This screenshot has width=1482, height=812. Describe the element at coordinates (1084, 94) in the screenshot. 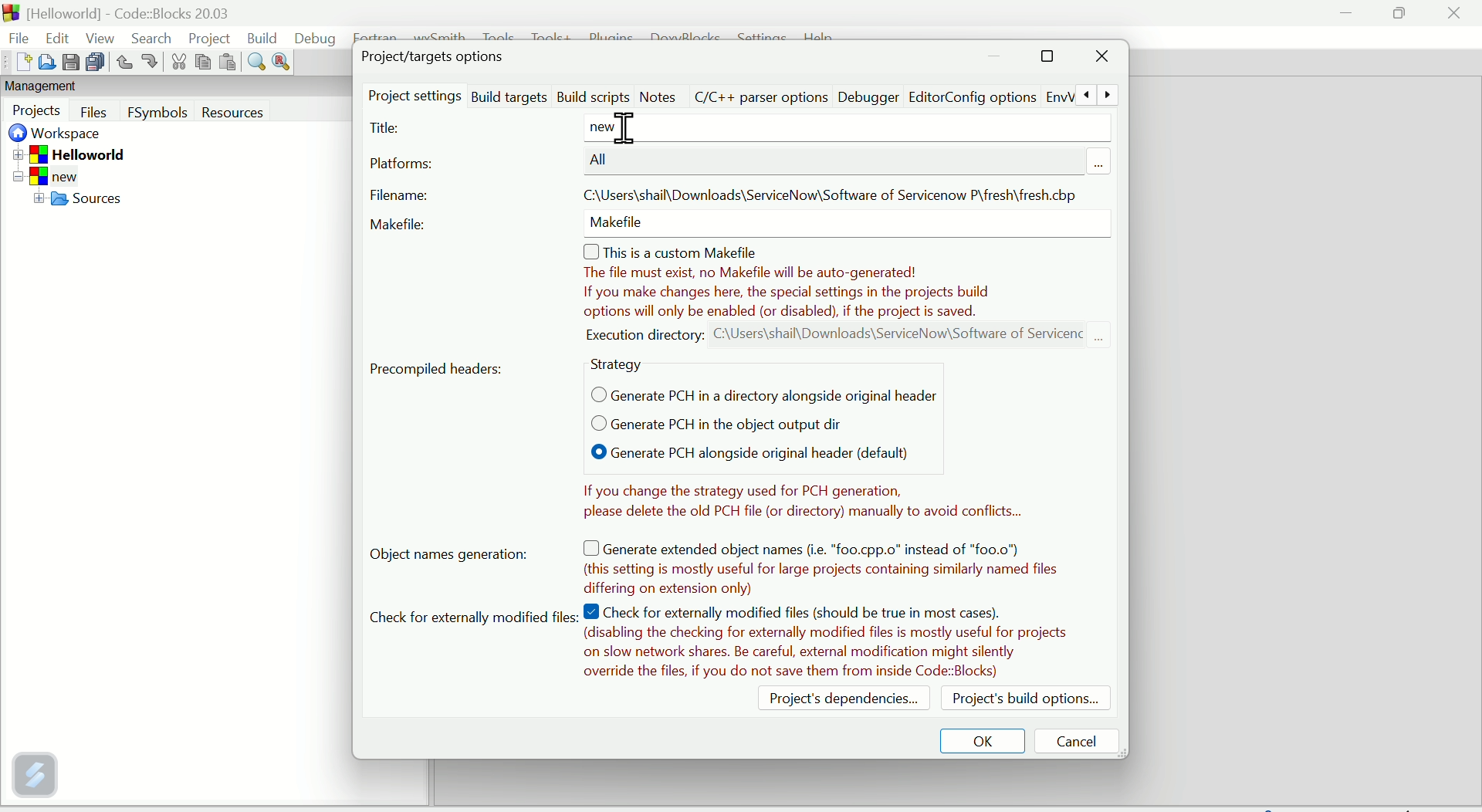

I see `Previous` at that location.